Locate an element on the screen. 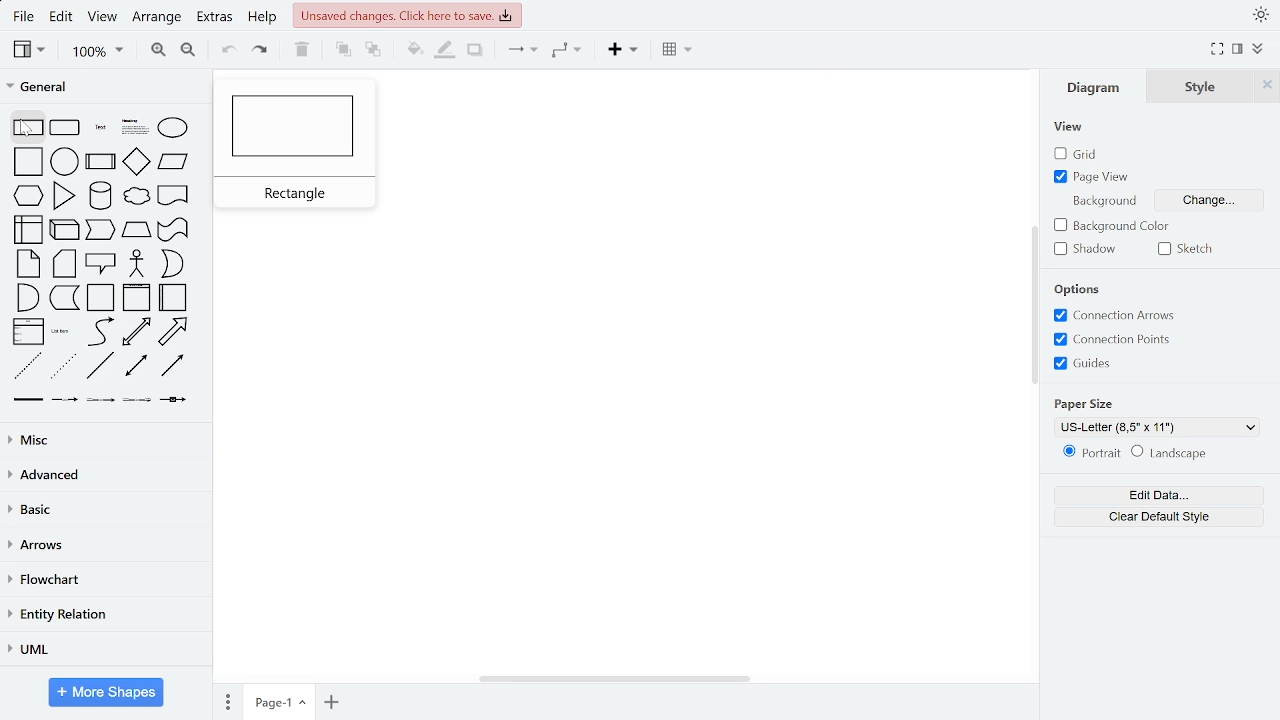 This screenshot has height=720, width=1280. Paper Size is located at coordinates (1090, 400).